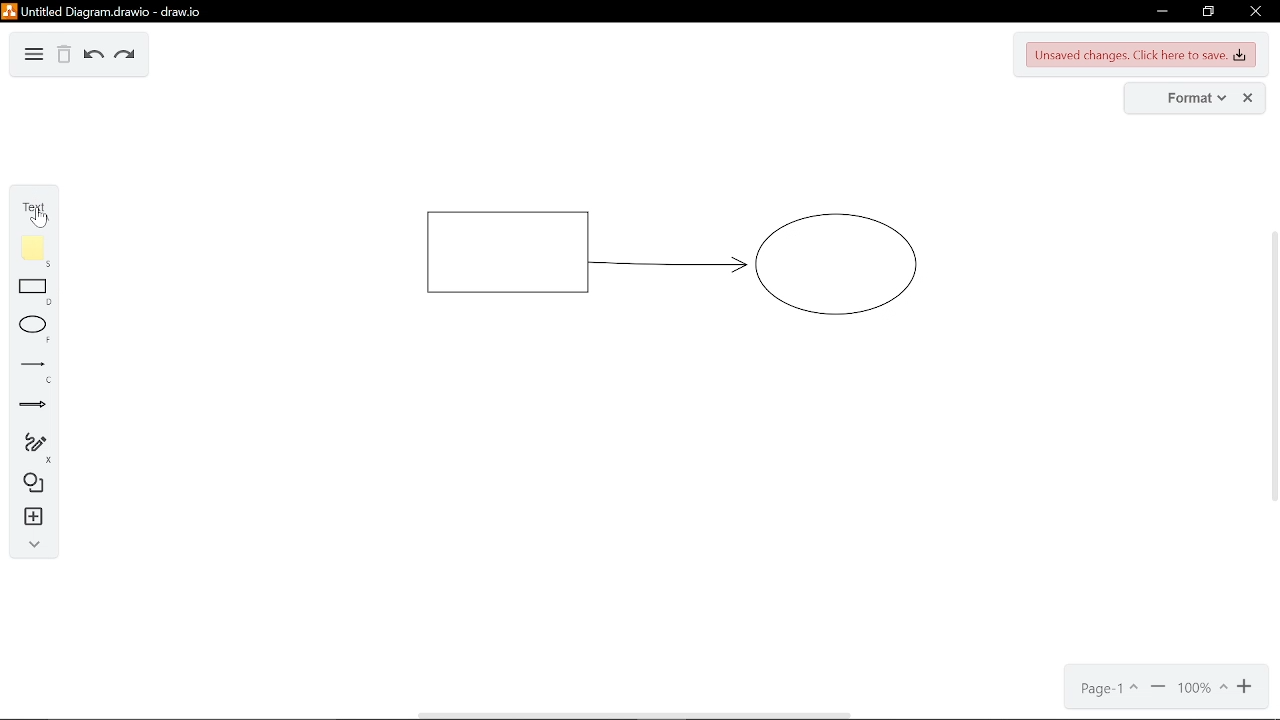 The height and width of the screenshot is (720, 1280). I want to click on collapse, so click(34, 546).